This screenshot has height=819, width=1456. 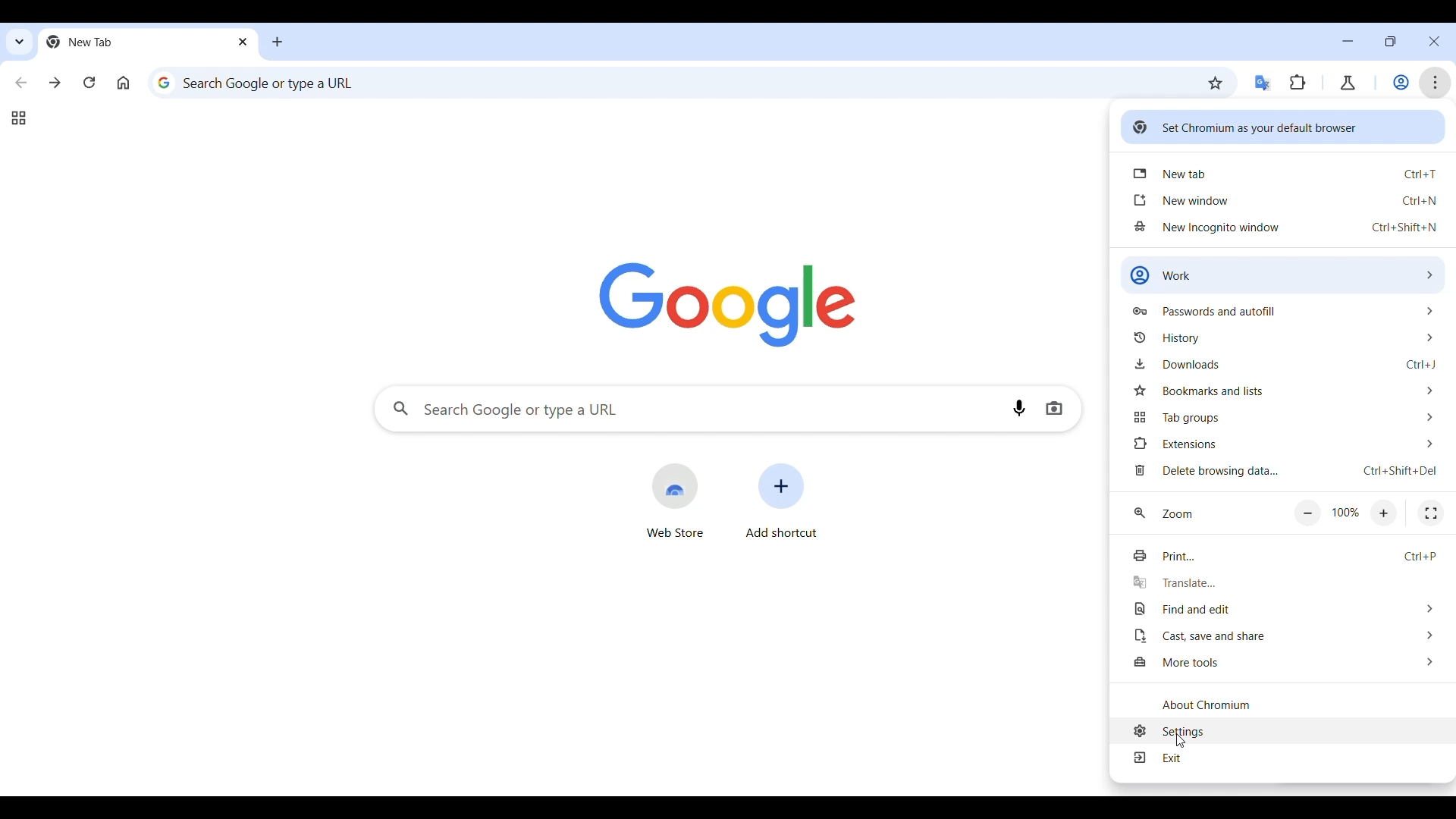 What do you see at coordinates (55, 83) in the screenshot?
I see `Go forward` at bounding box center [55, 83].